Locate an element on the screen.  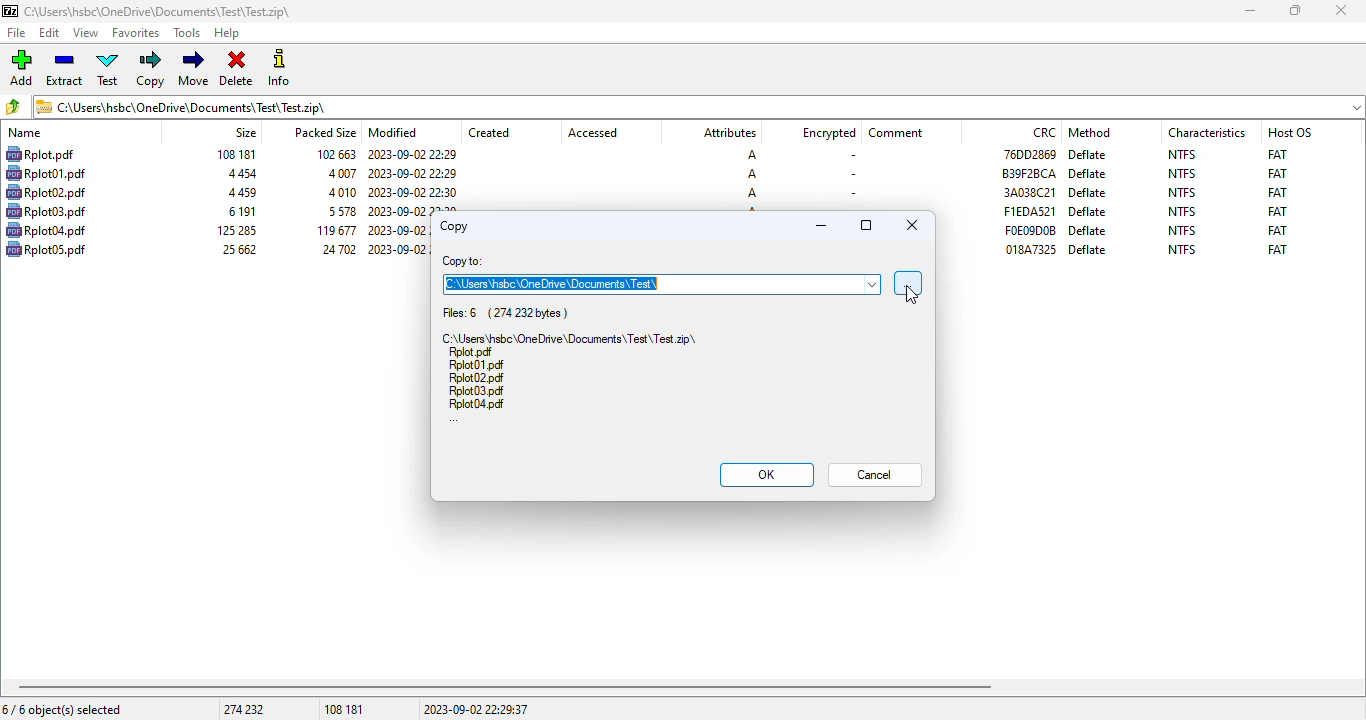
add is located at coordinates (21, 68).